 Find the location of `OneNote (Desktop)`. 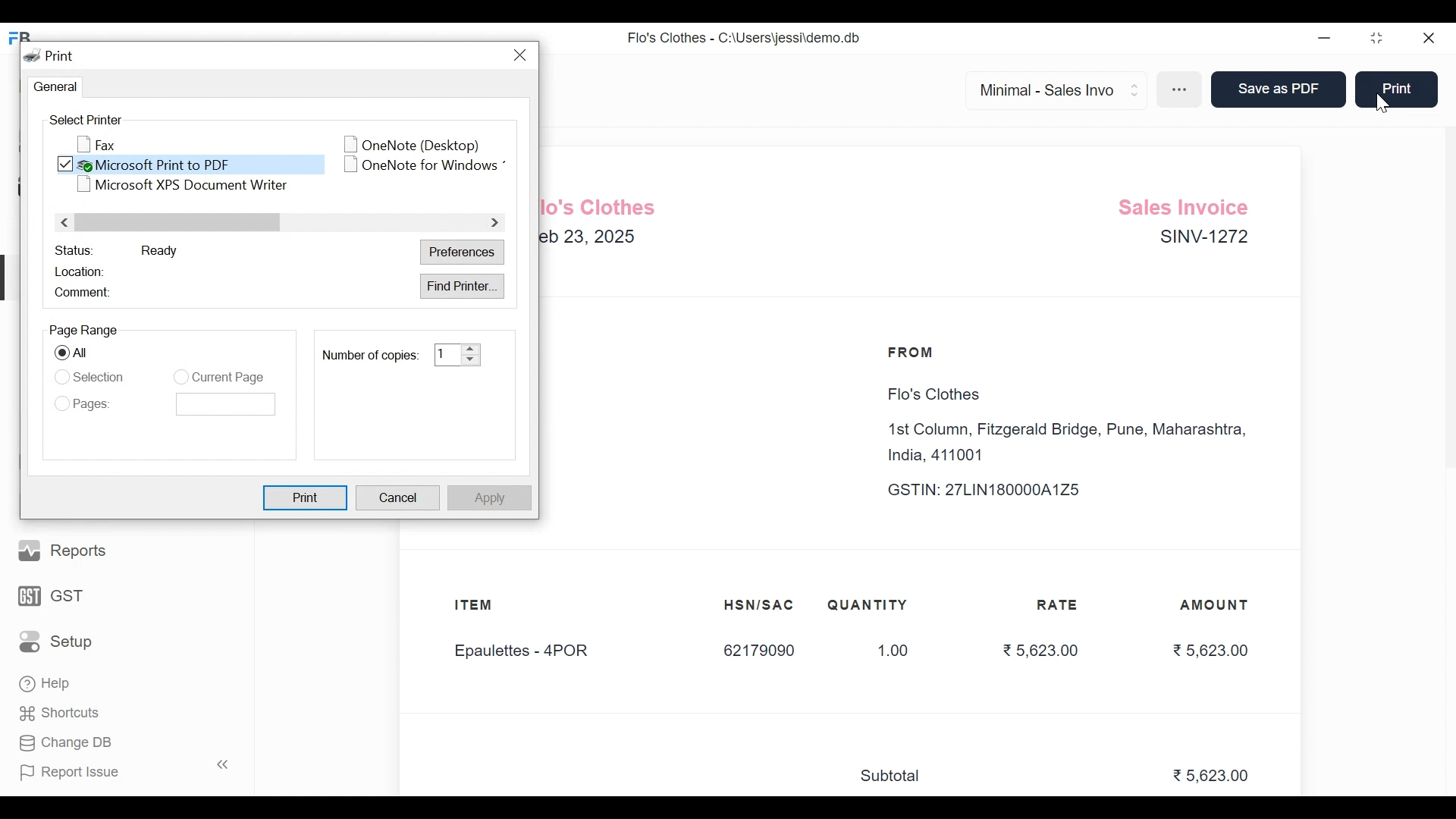

OneNote (Desktop) is located at coordinates (406, 143).